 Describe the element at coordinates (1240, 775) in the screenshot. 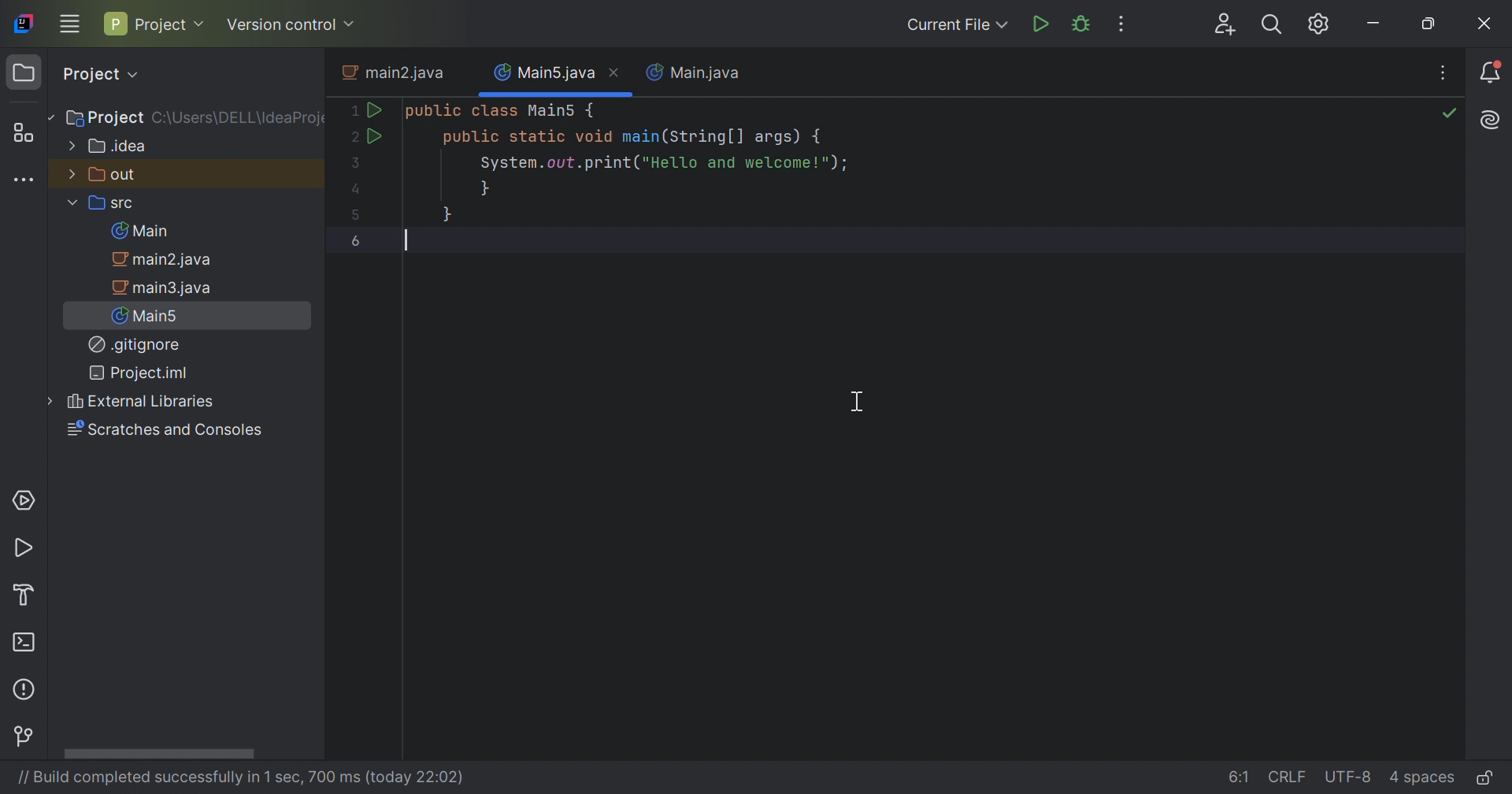

I see `go to line` at that location.